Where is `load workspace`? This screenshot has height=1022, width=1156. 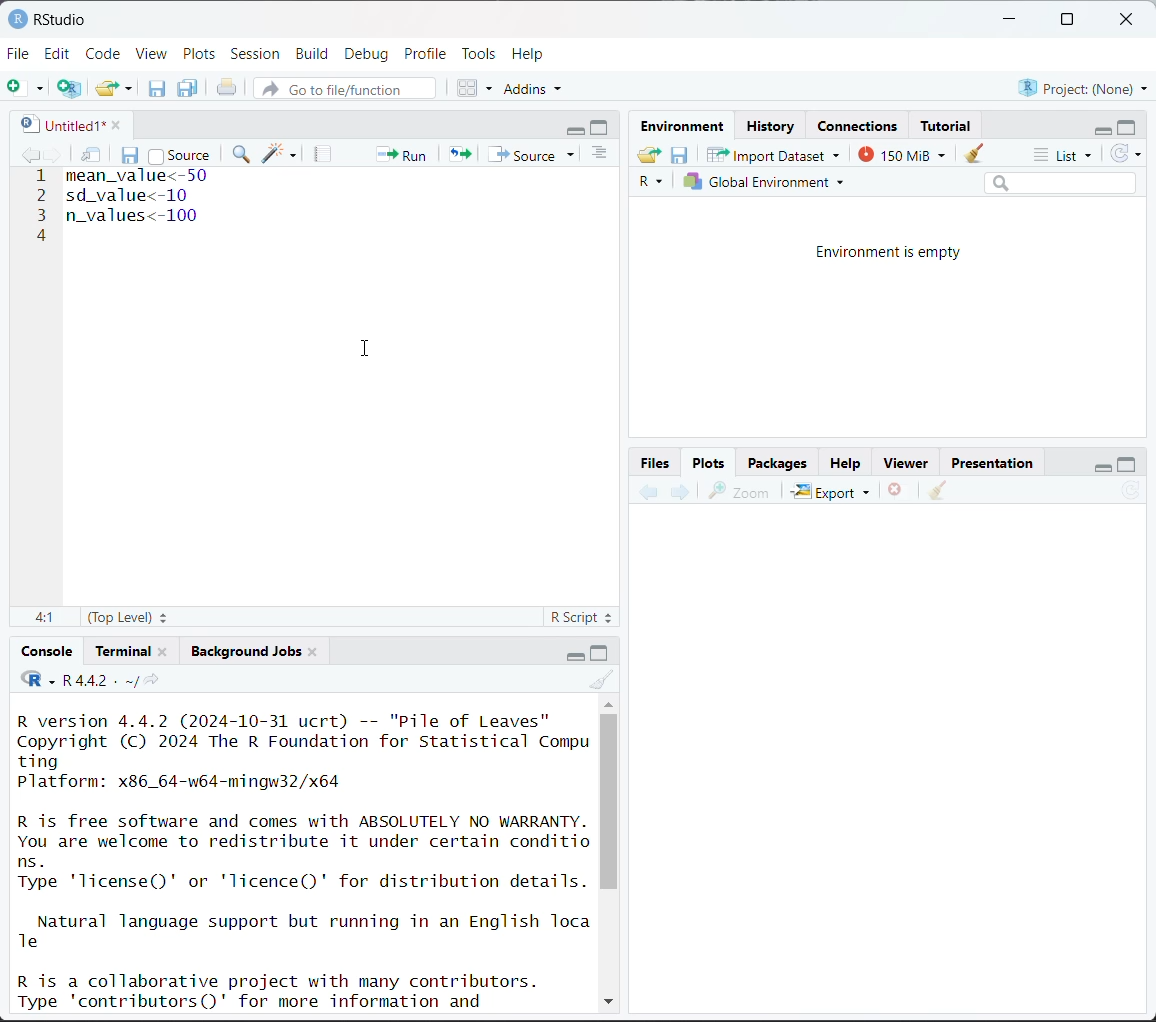 load workspace is located at coordinates (652, 157).